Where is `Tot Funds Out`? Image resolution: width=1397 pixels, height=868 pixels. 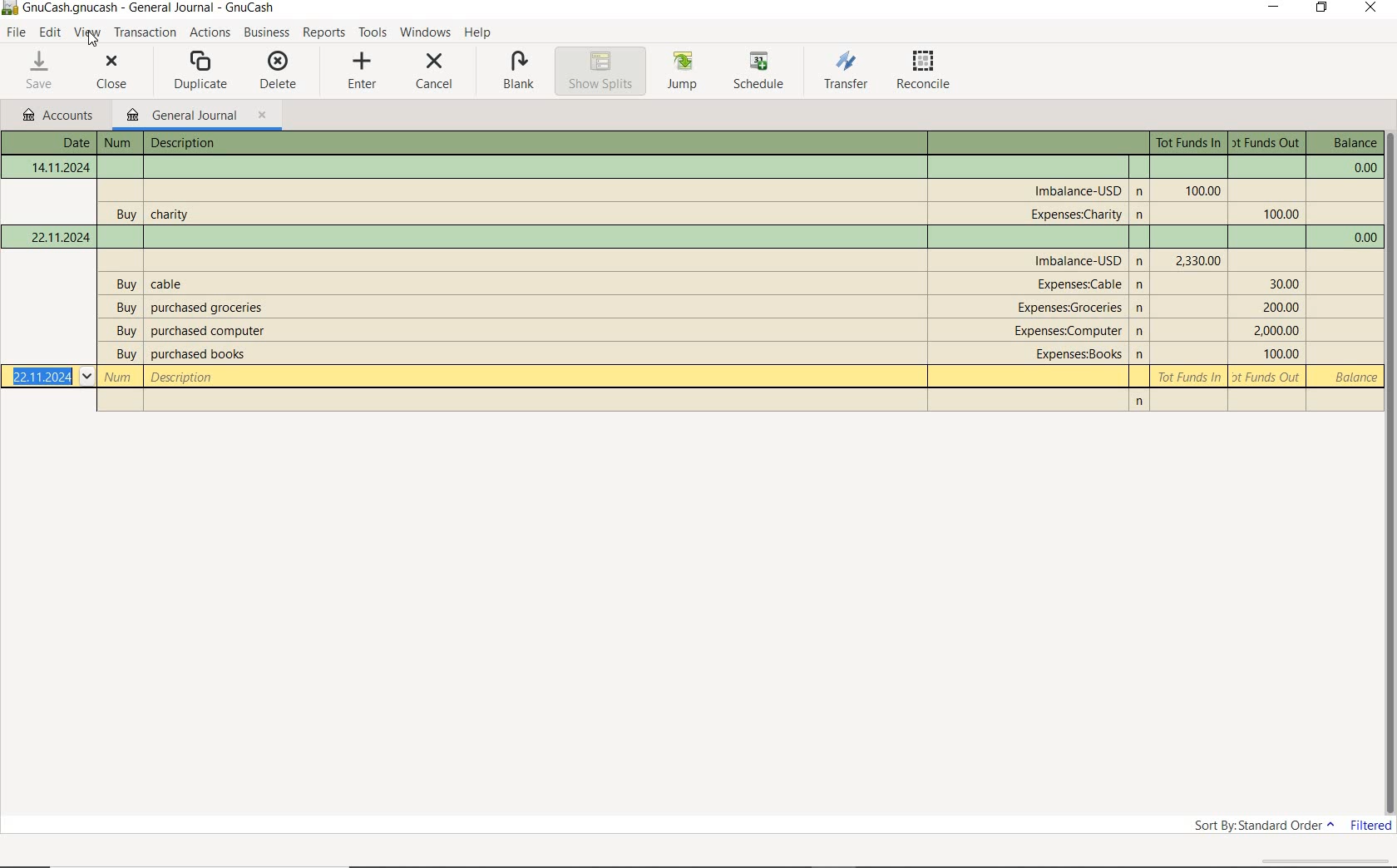 Tot Funds Out is located at coordinates (1279, 354).